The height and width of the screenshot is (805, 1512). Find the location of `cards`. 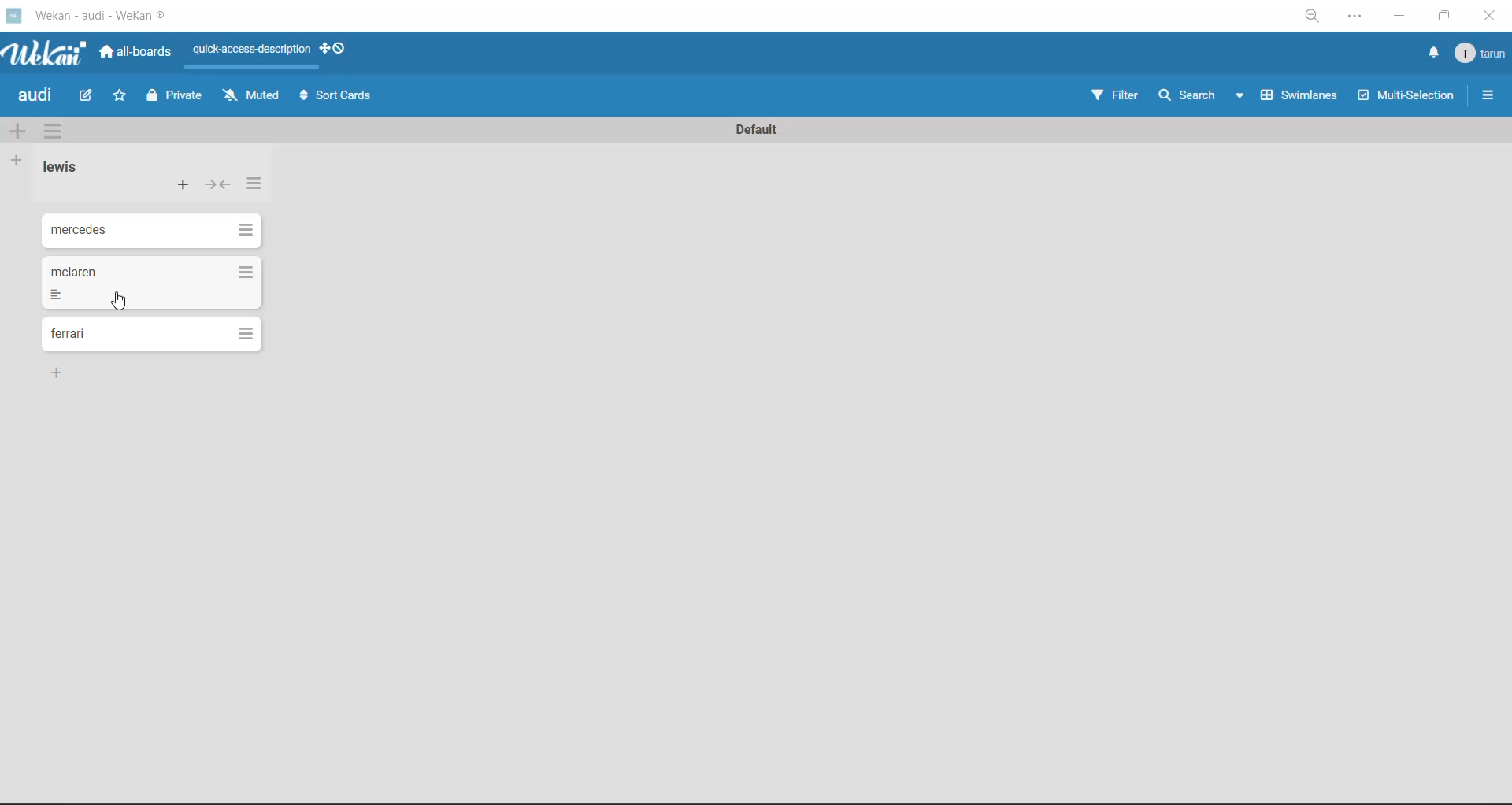

cards is located at coordinates (149, 233).